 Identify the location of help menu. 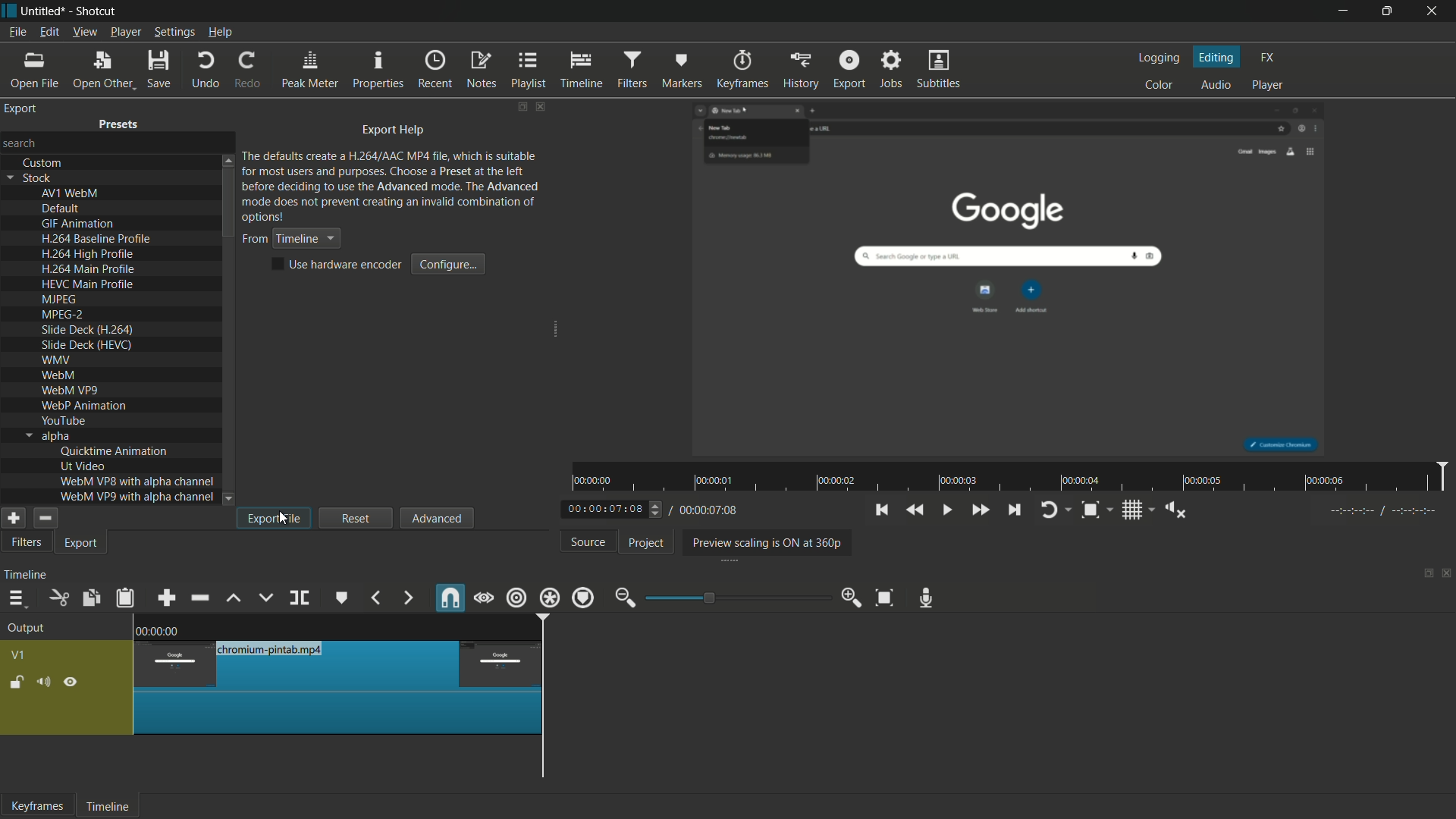
(221, 33).